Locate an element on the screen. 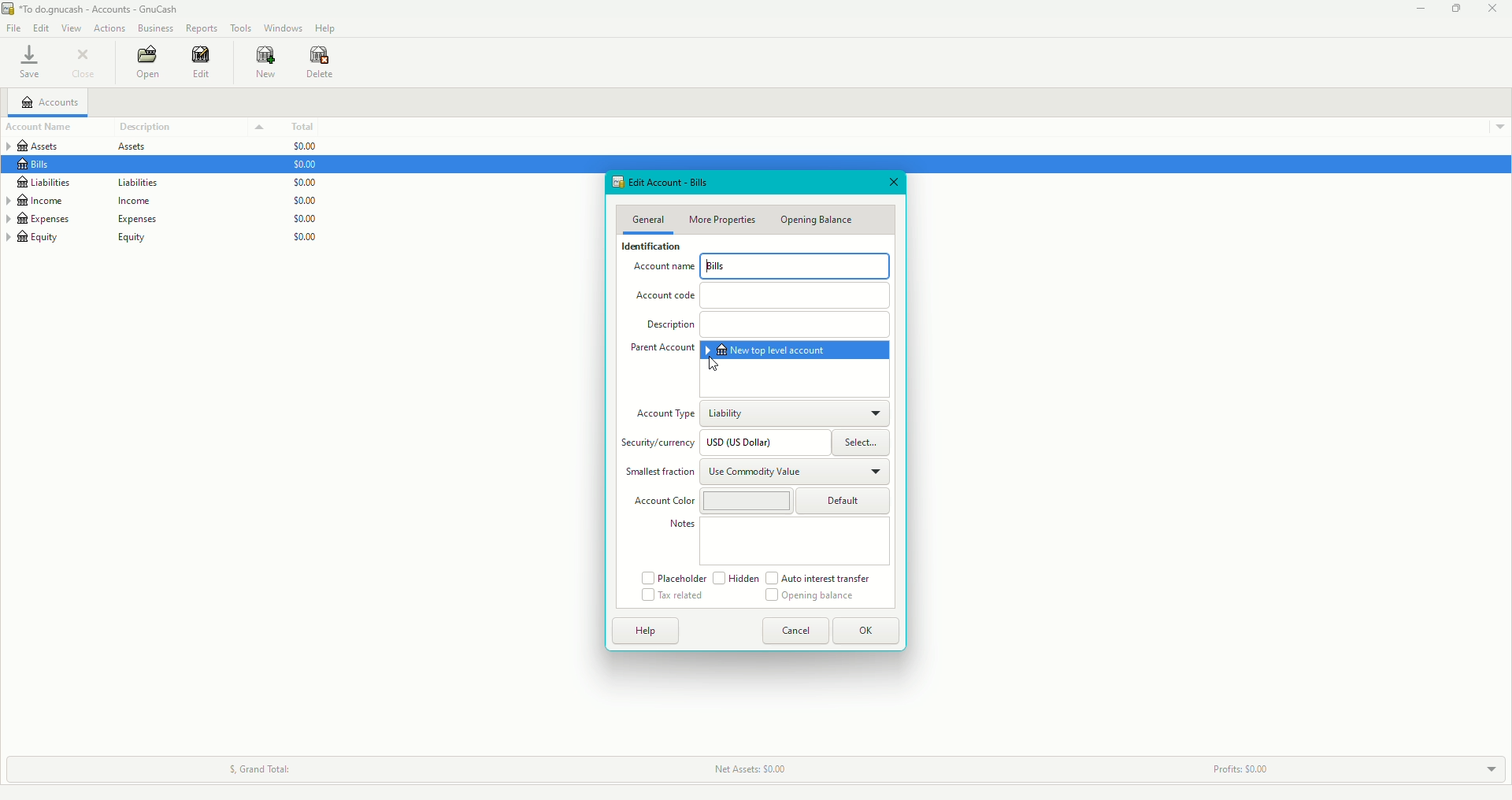 The height and width of the screenshot is (800, 1512). Net Assets is located at coordinates (749, 769).